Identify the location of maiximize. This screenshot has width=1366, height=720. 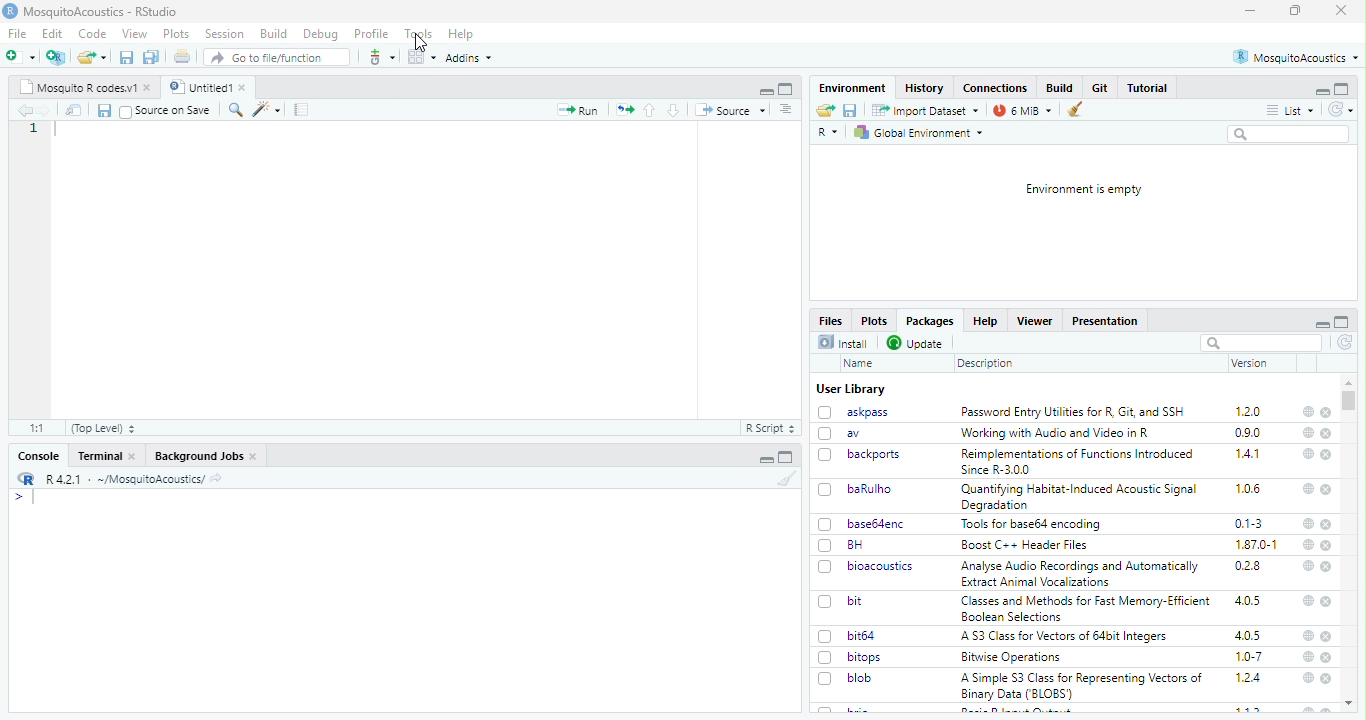
(787, 89).